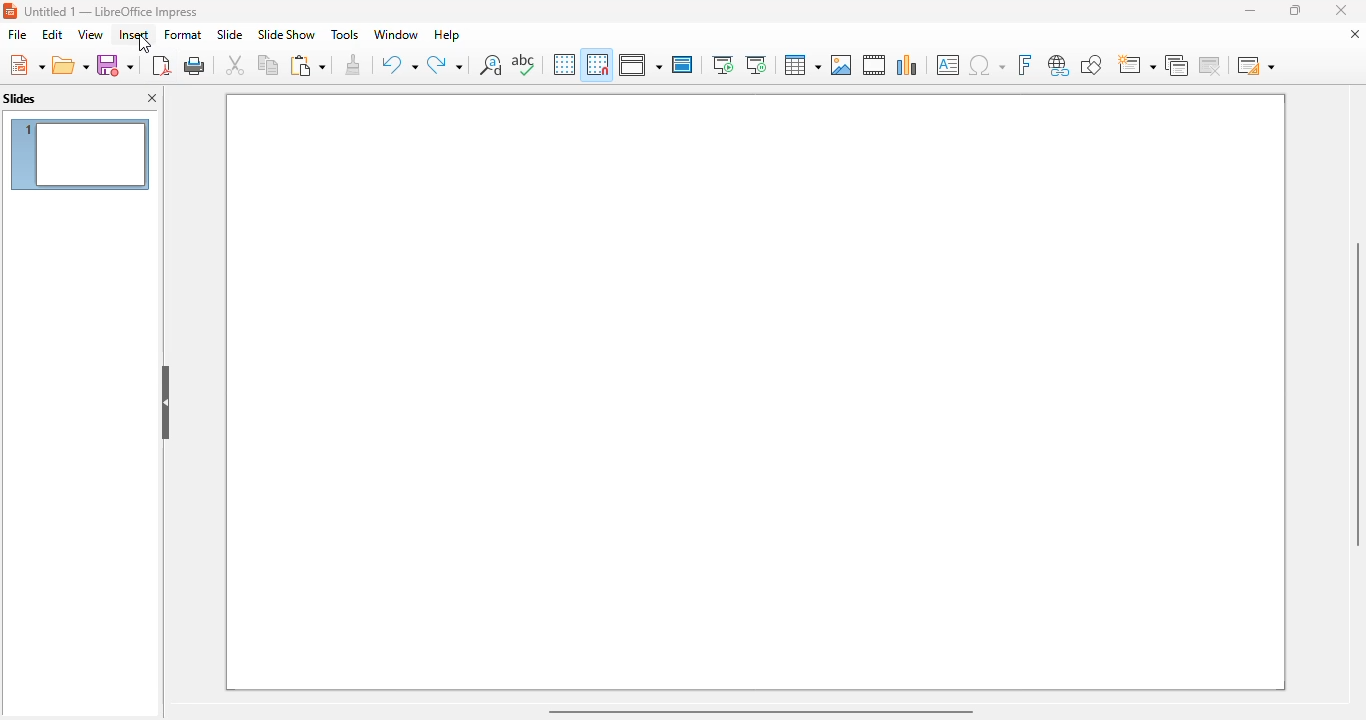 Image resolution: width=1366 pixels, height=720 pixels. I want to click on save, so click(115, 65).